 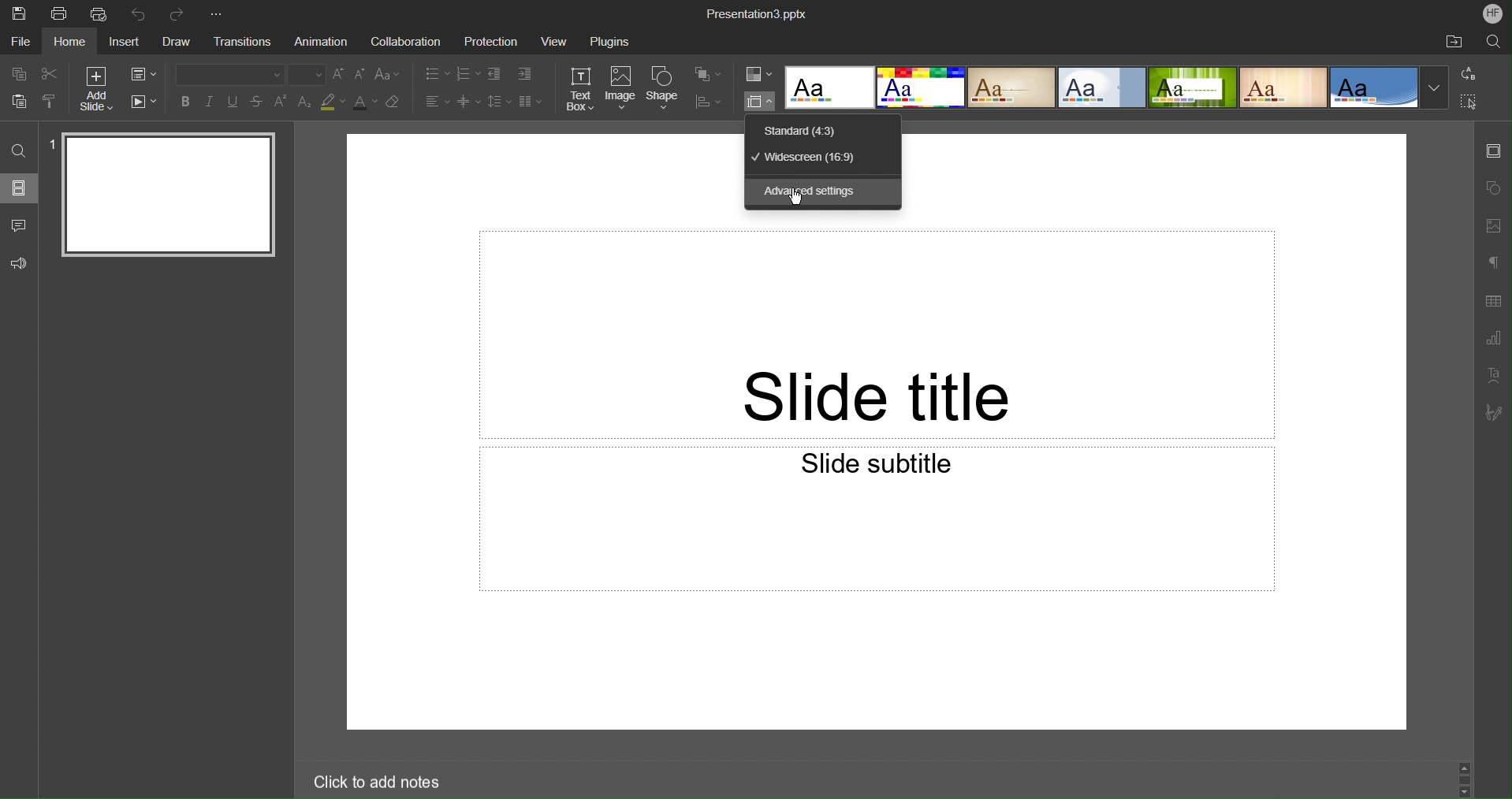 What do you see at coordinates (1465, 775) in the screenshot?
I see `Scroll bar` at bounding box center [1465, 775].